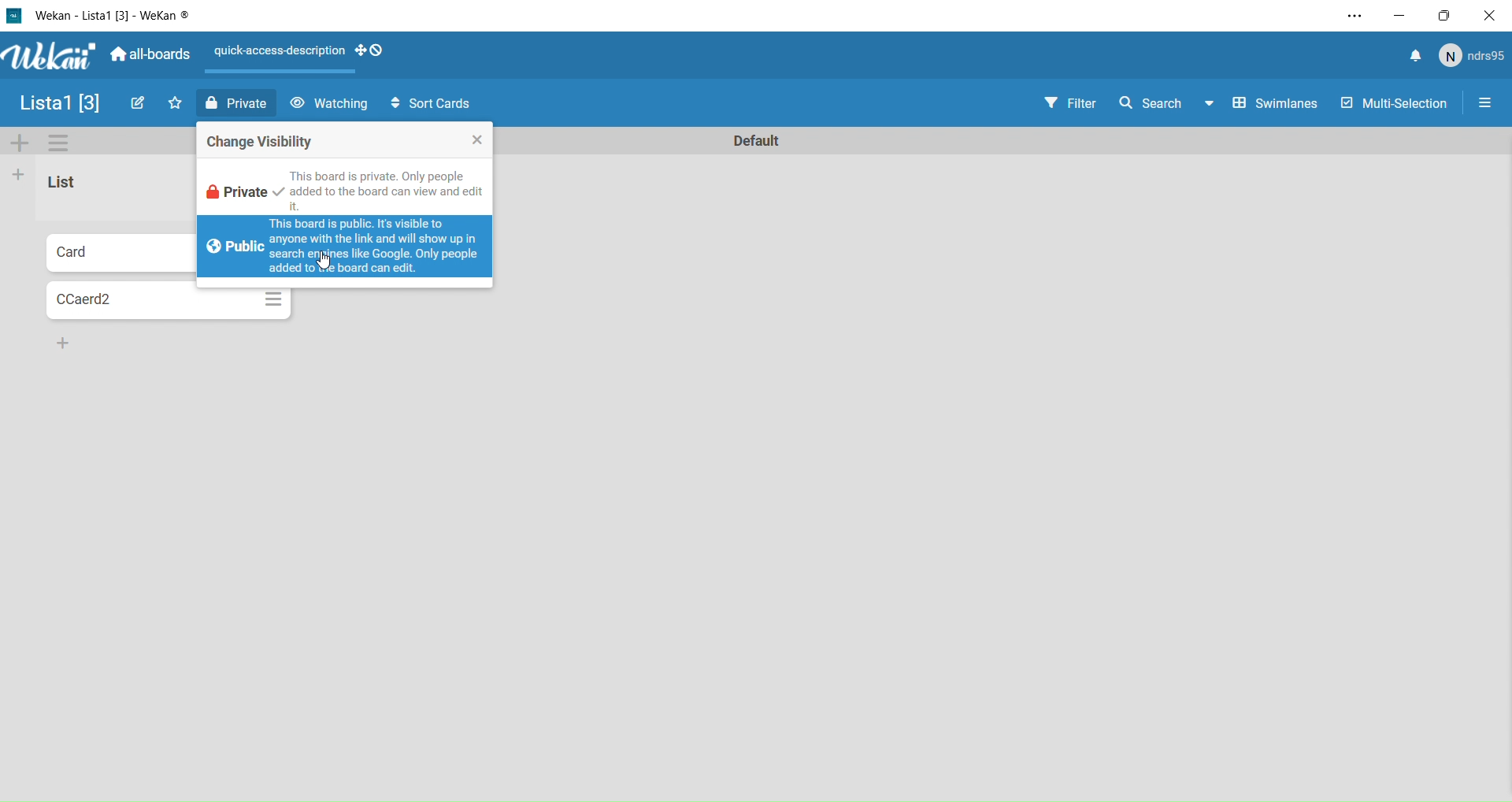  Describe the element at coordinates (60, 342) in the screenshot. I see `Add` at that location.